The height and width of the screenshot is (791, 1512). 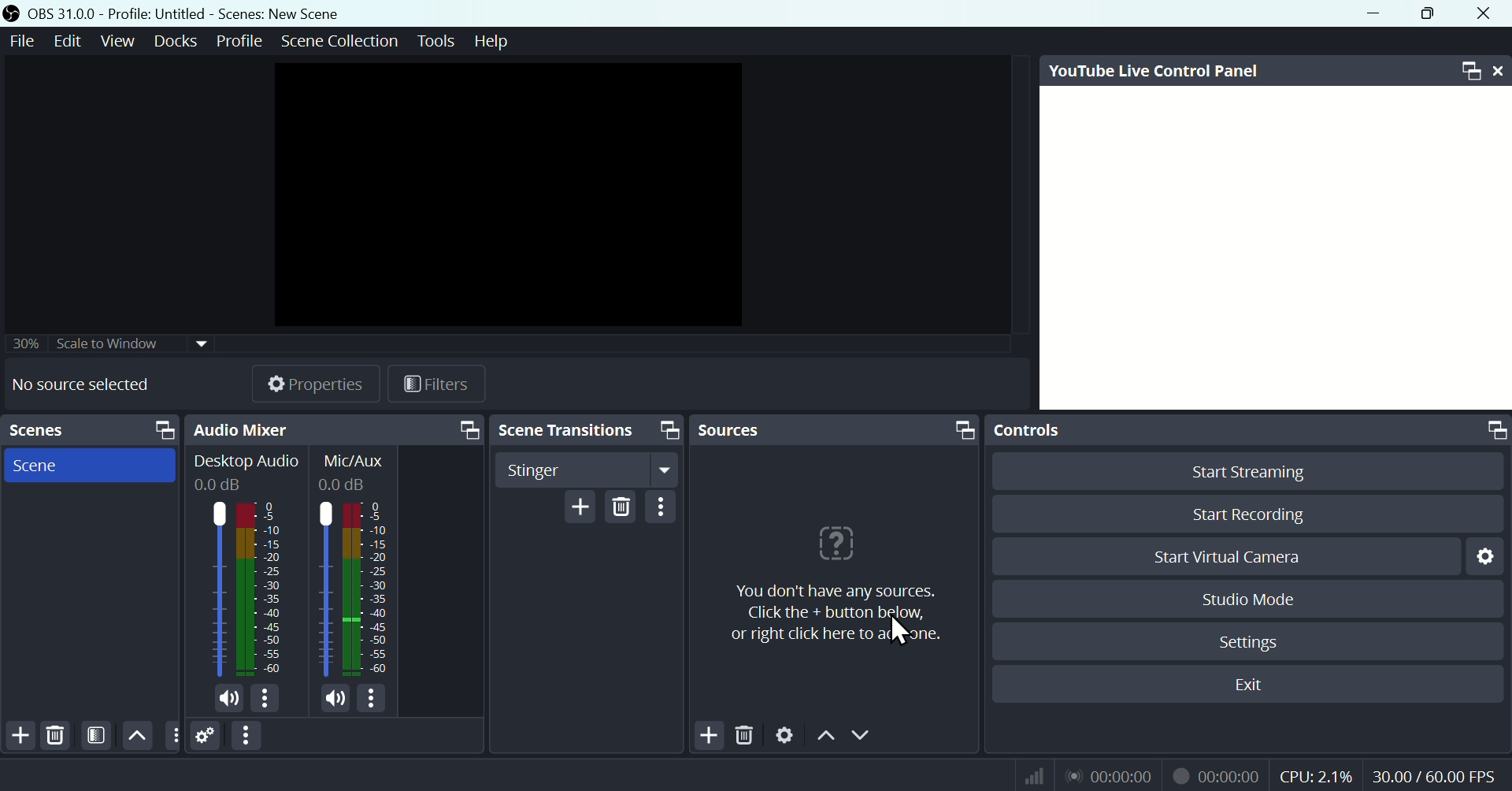 What do you see at coordinates (57, 735) in the screenshot?
I see `Delete` at bounding box center [57, 735].